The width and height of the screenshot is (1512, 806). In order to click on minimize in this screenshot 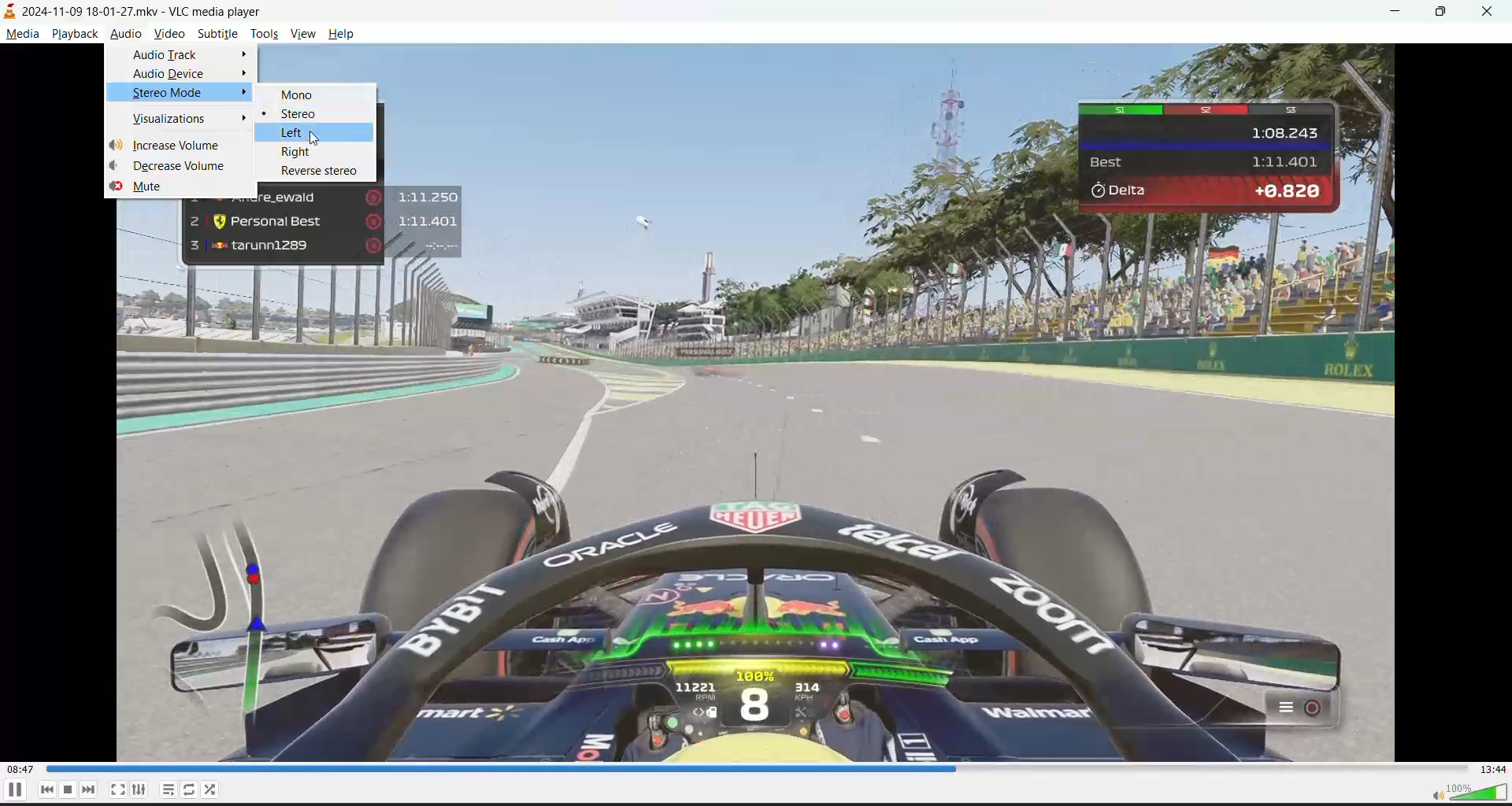, I will do `click(1396, 10)`.